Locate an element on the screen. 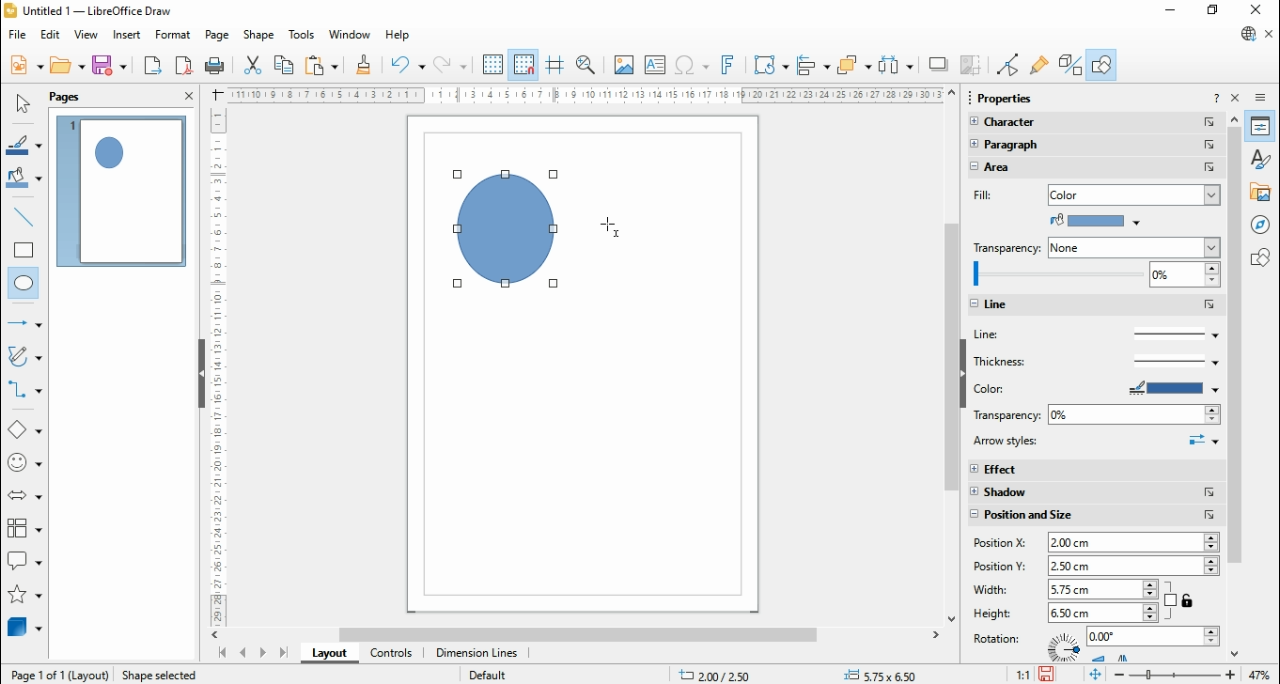  callout shapes is located at coordinates (26, 564).